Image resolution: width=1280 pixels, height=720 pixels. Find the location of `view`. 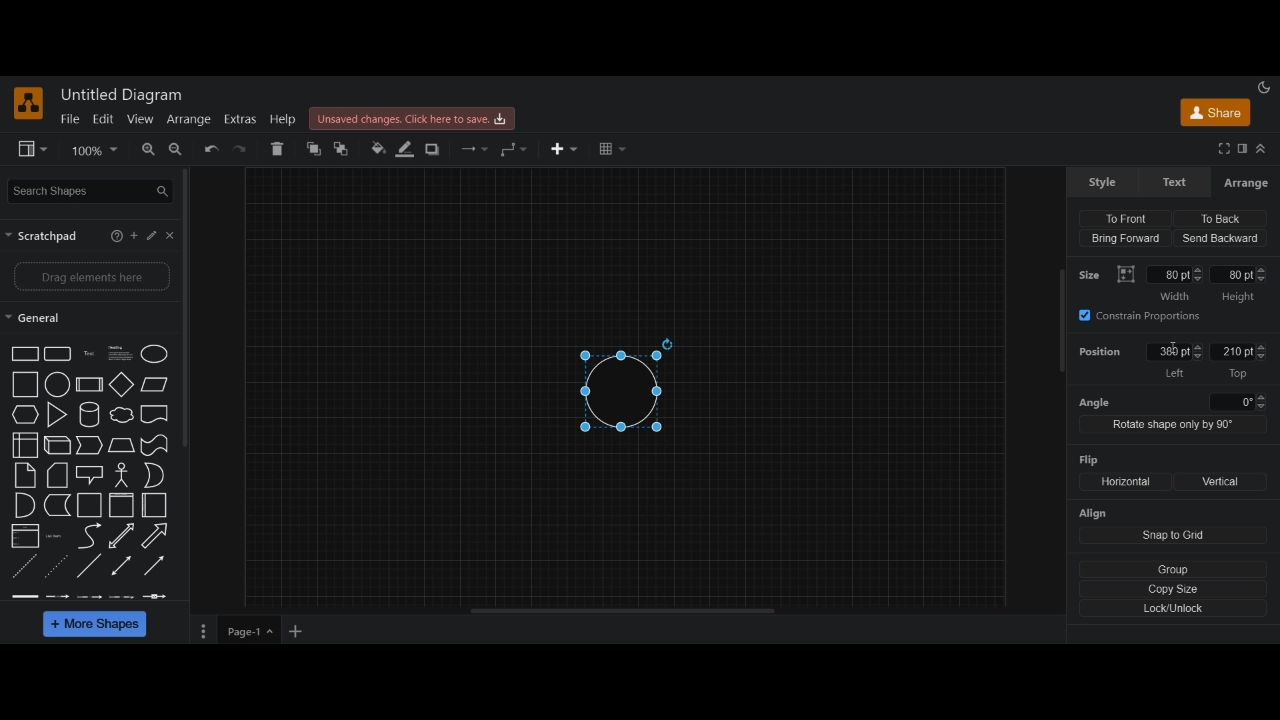

view is located at coordinates (34, 150).